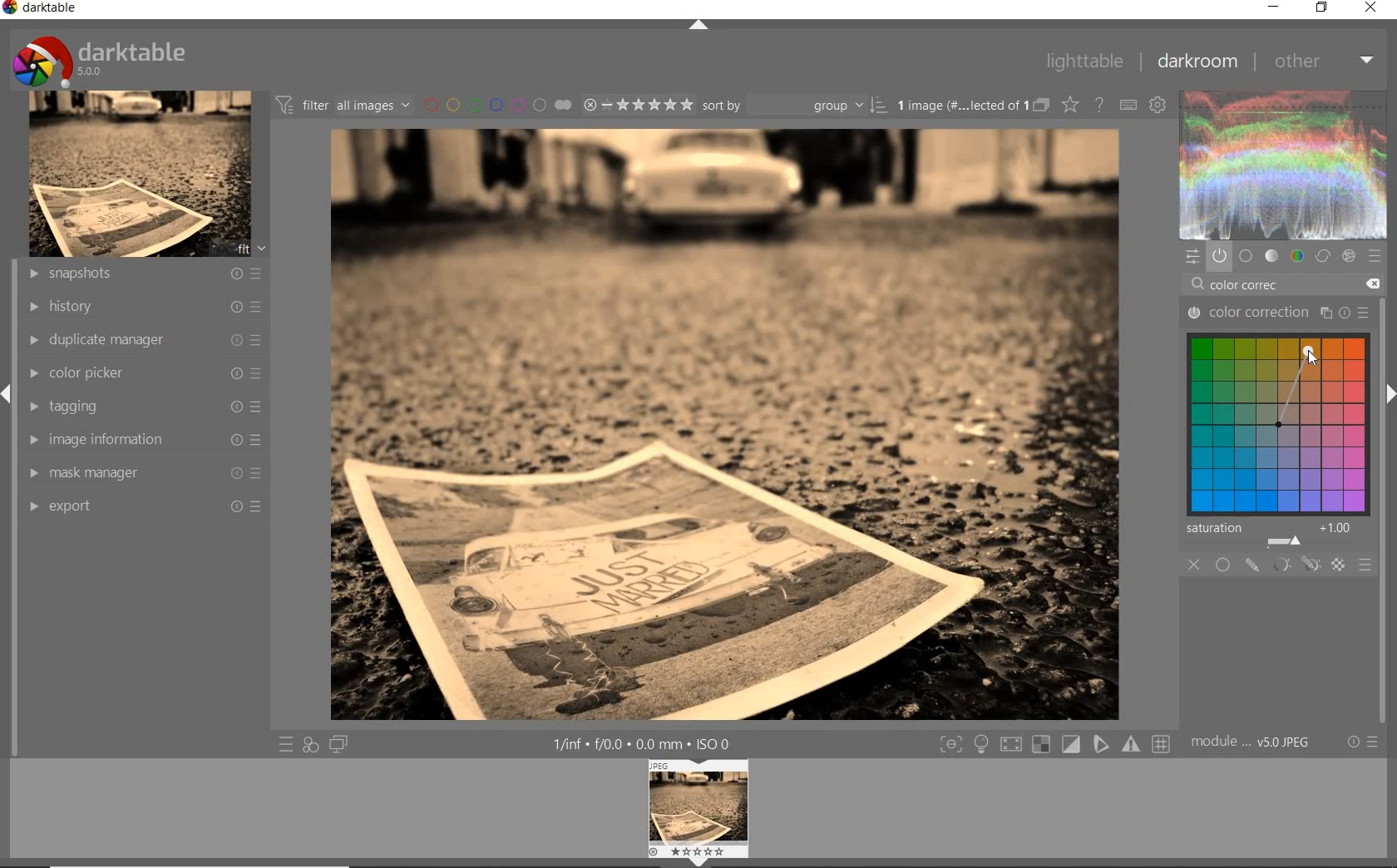 Image resolution: width=1397 pixels, height=868 pixels. What do you see at coordinates (1278, 314) in the screenshot?
I see `color correction` at bounding box center [1278, 314].